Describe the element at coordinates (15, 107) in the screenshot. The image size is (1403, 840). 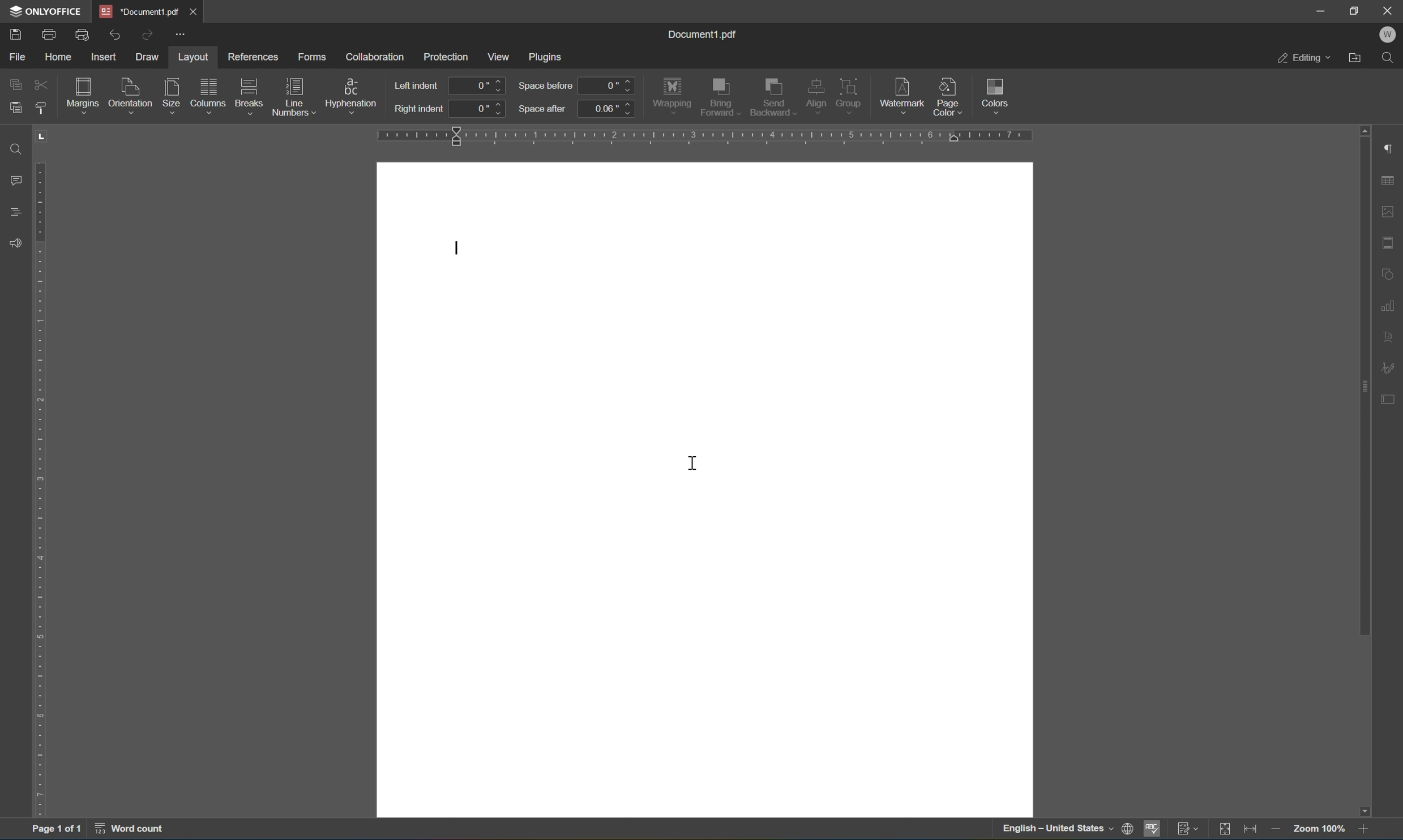
I see `paste` at that location.